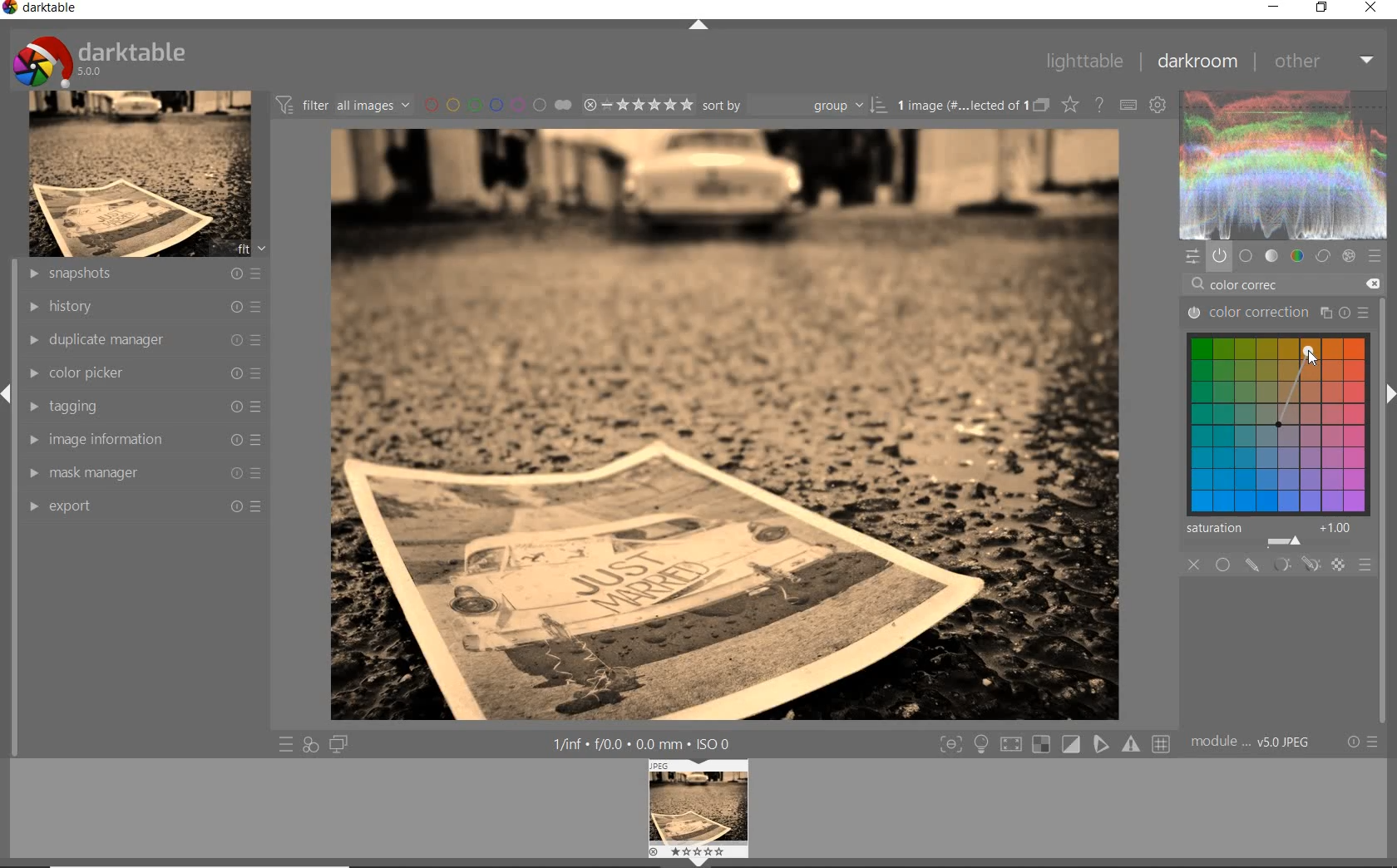 Image resolution: width=1397 pixels, height=868 pixels. Describe the element at coordinates (698, 27) in the screenshot. I see `expand/collapse` at that location.